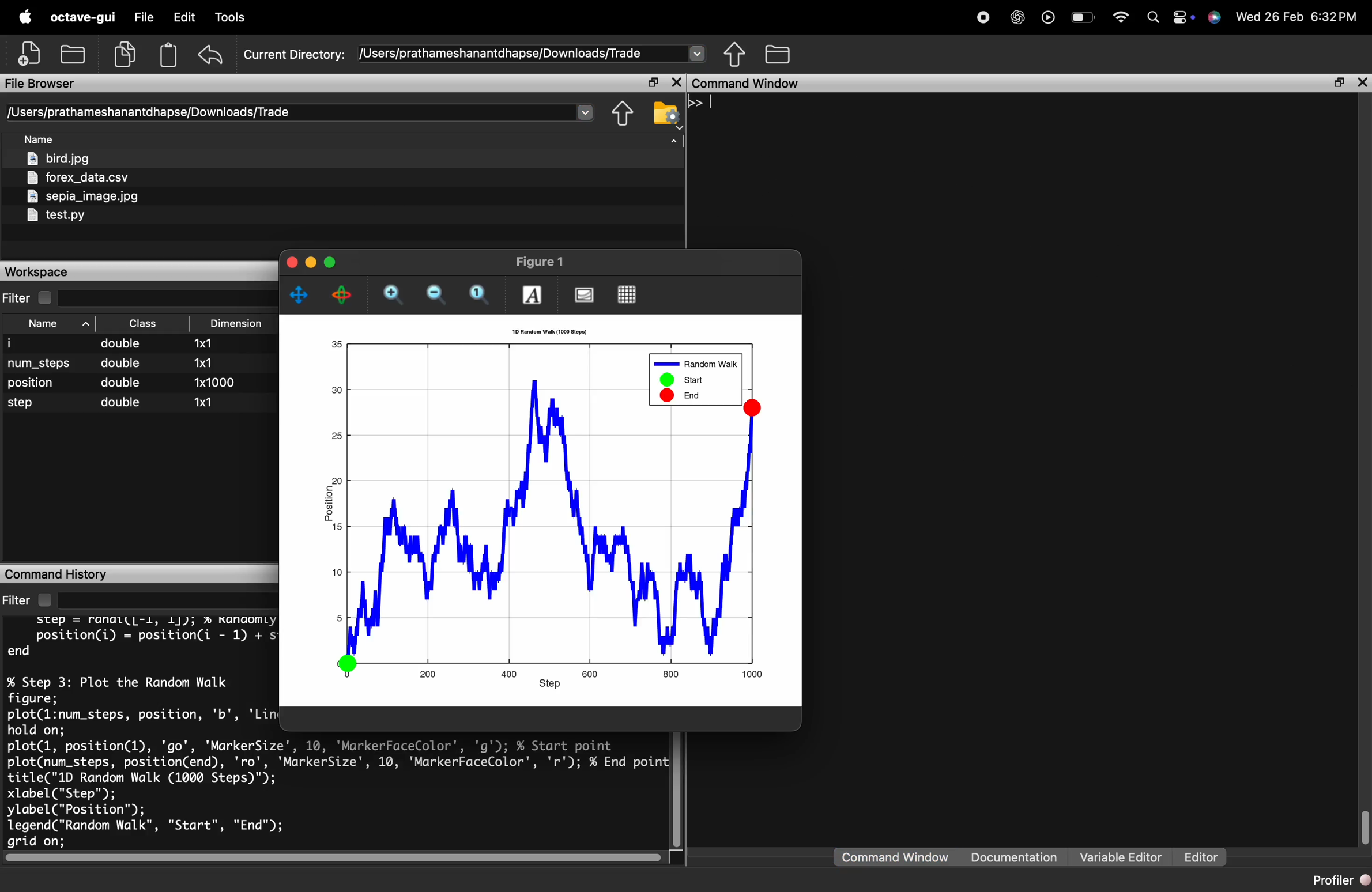 The height and width of the screenshot is (892, 1372). Describe the element at coordinates (301, 294) in the screenshot. I see `move` at that location.